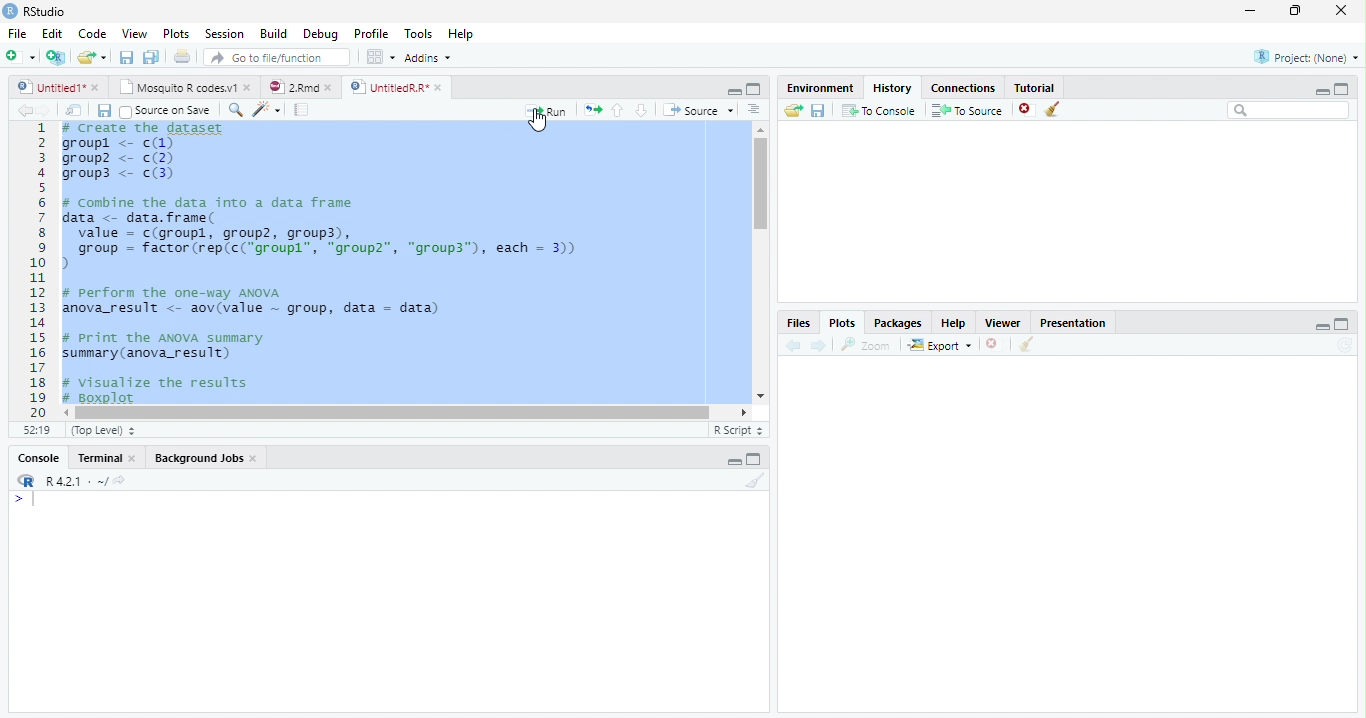  What do you see at coordinates (14, 500) in the screenshot?
I see `>` at bounding box center [14, 500].